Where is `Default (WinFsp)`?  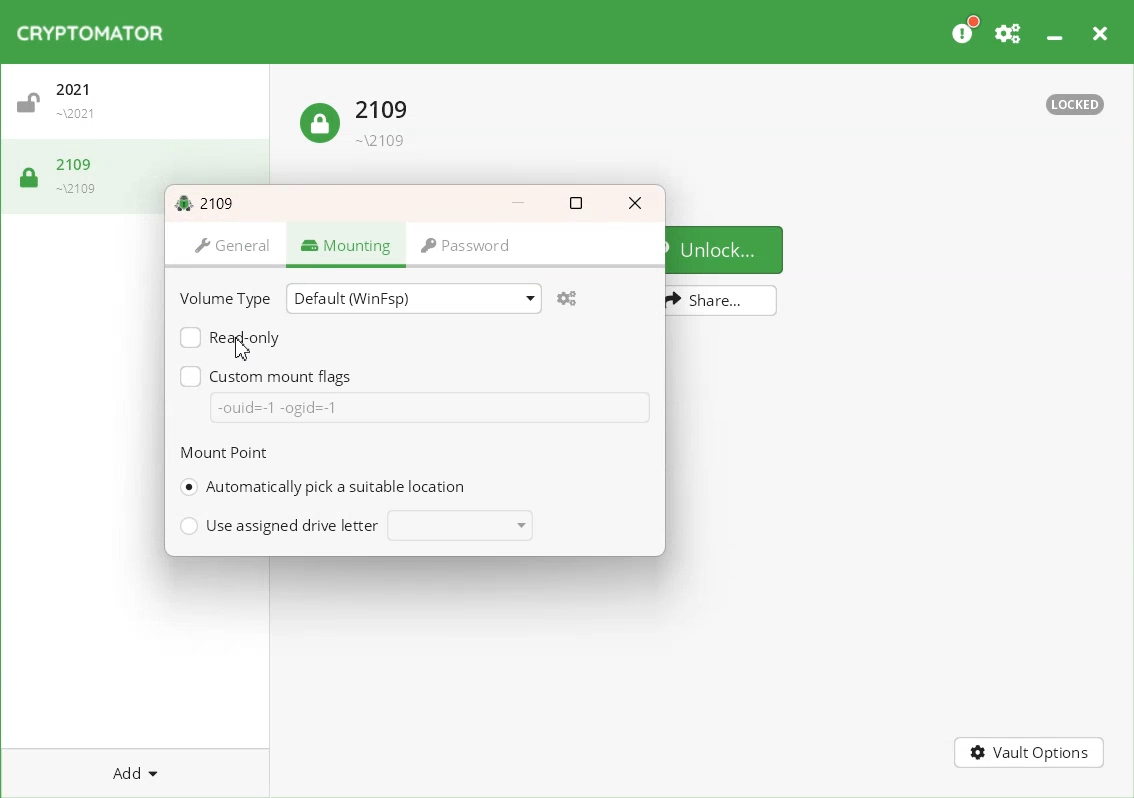
Default (WinFsp) is located at coordinates (413, 297).